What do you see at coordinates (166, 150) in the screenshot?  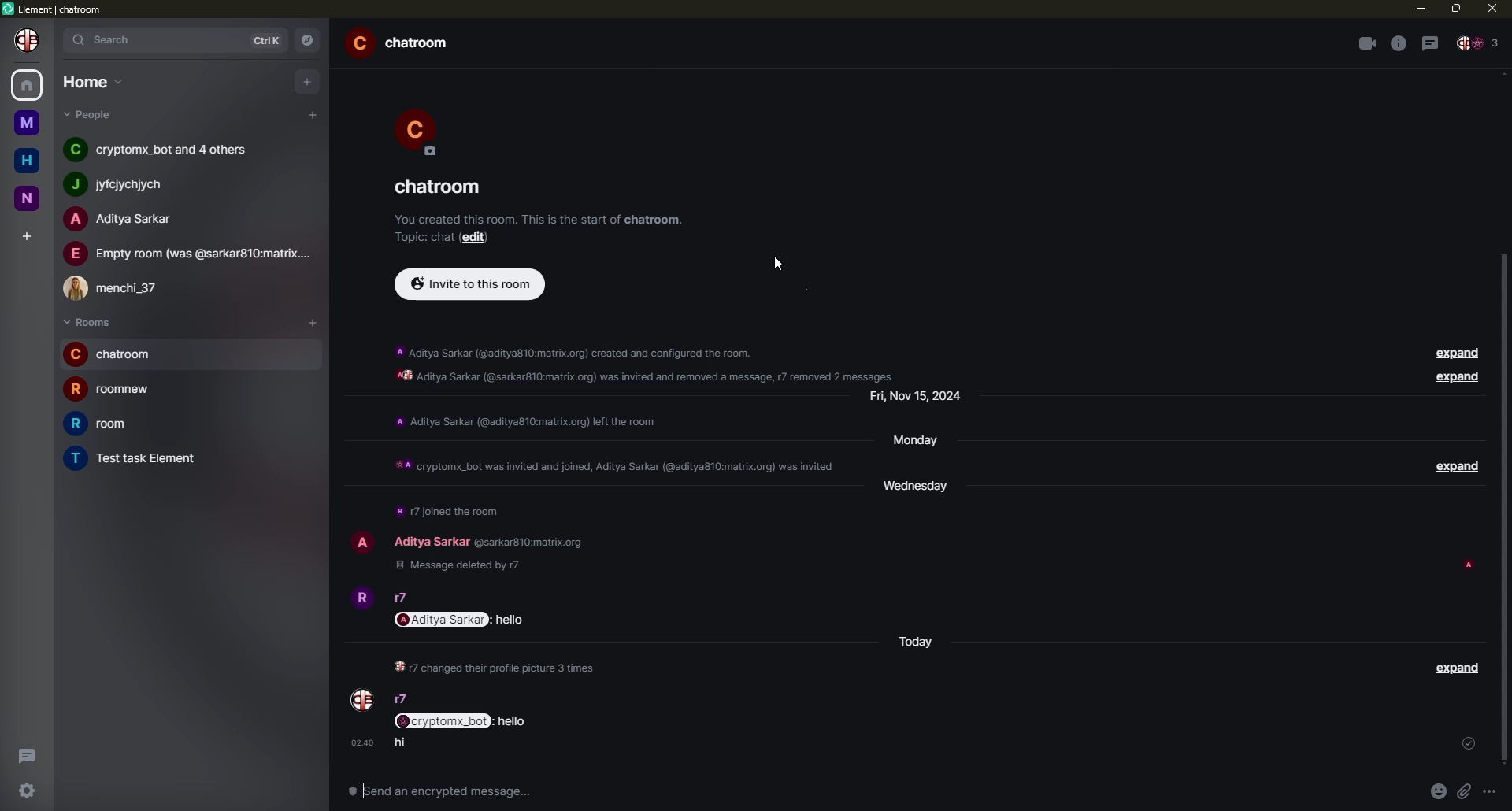 I see `people` at bounding box center [166, 150].